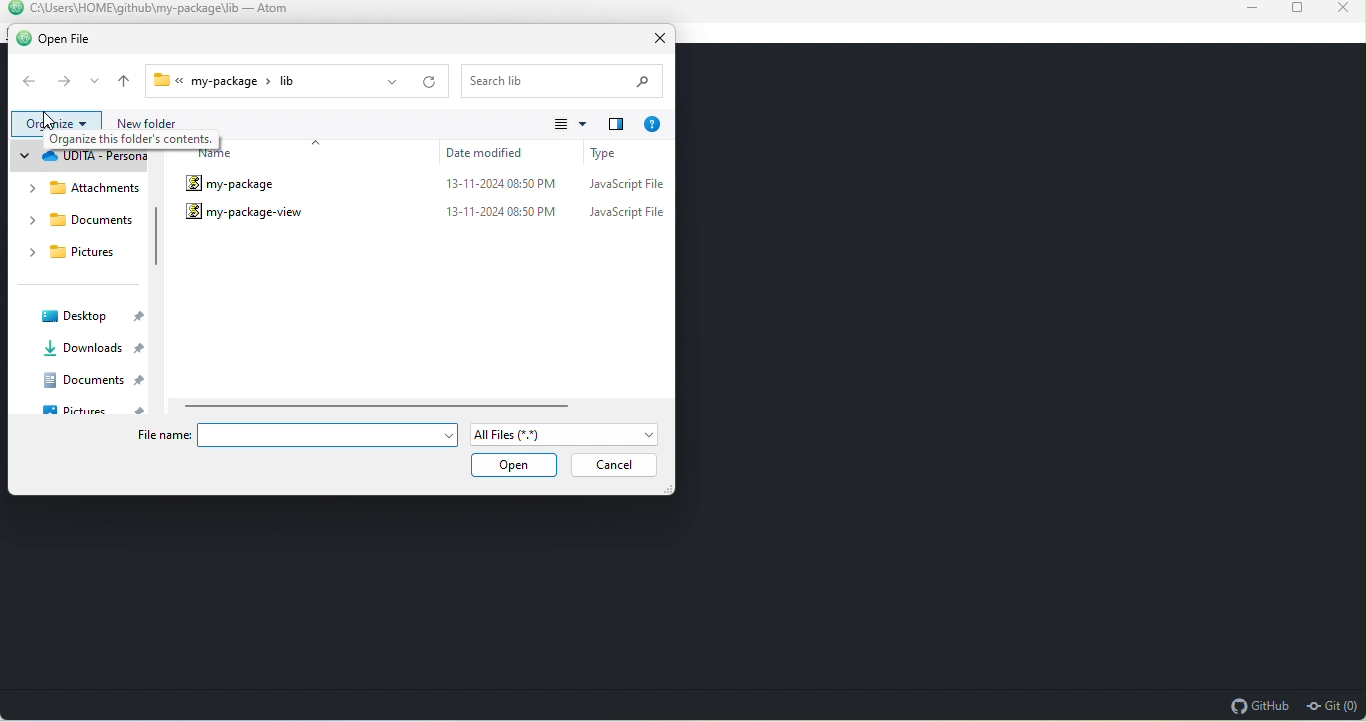  Describe the element at coordinates (496, 155) in the screenshot. I see `date modified` at that location.